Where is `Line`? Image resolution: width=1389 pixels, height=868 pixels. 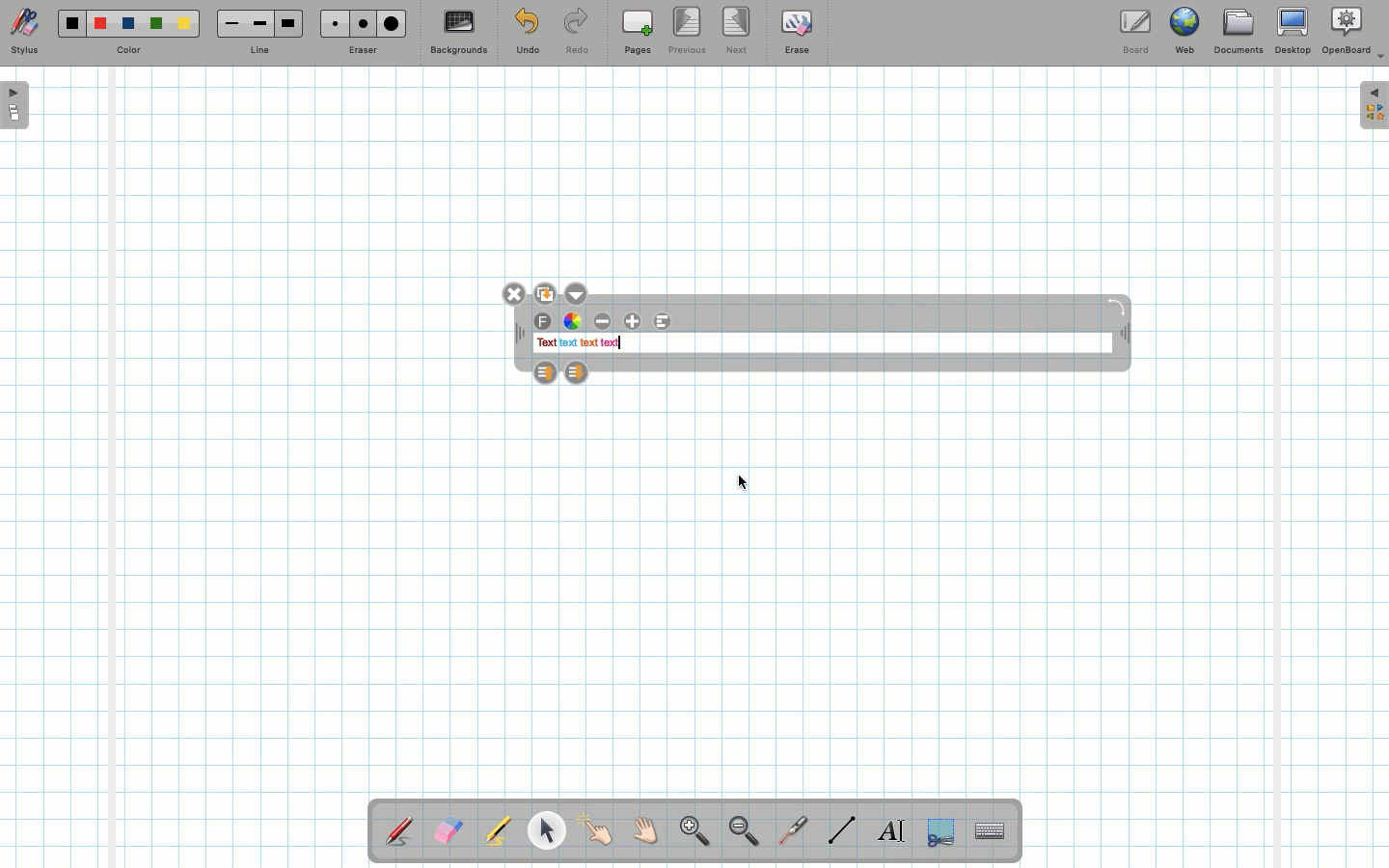 Line is located at coordinates (259, 51).